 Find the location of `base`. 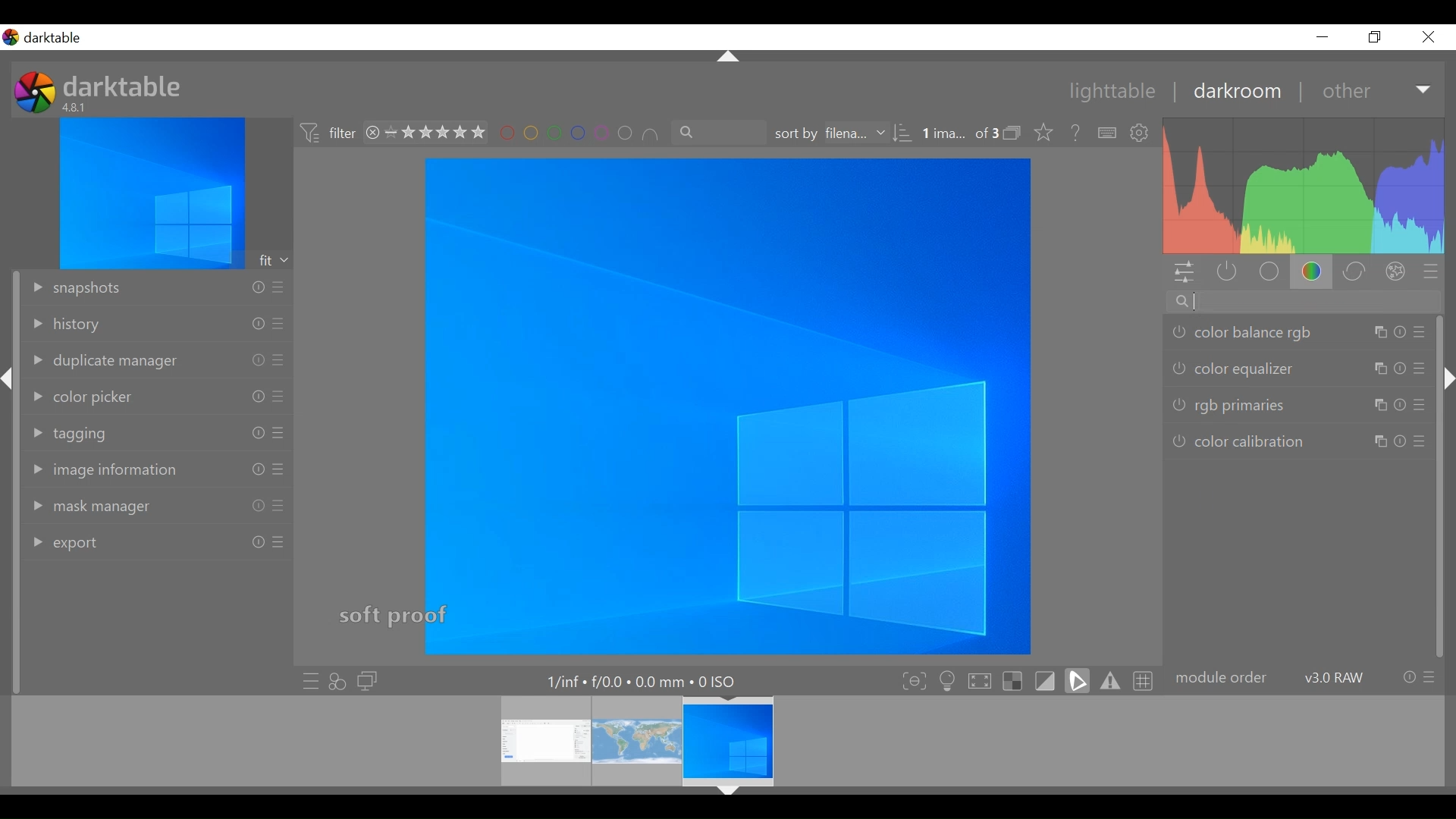

base is located at coordinates (1268, 272).